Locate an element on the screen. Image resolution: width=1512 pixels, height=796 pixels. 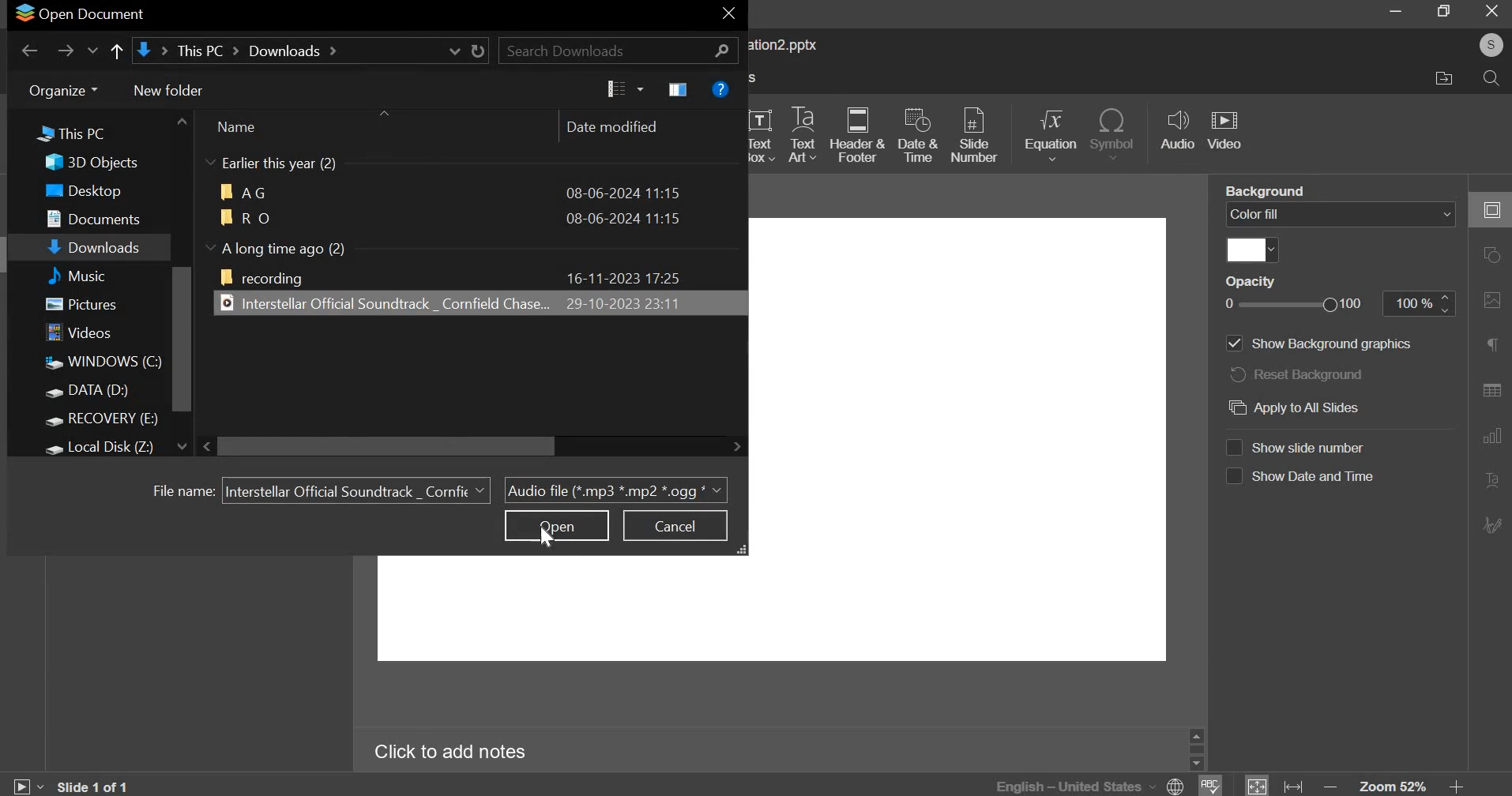
This PC is located at coordinates (88, 130).